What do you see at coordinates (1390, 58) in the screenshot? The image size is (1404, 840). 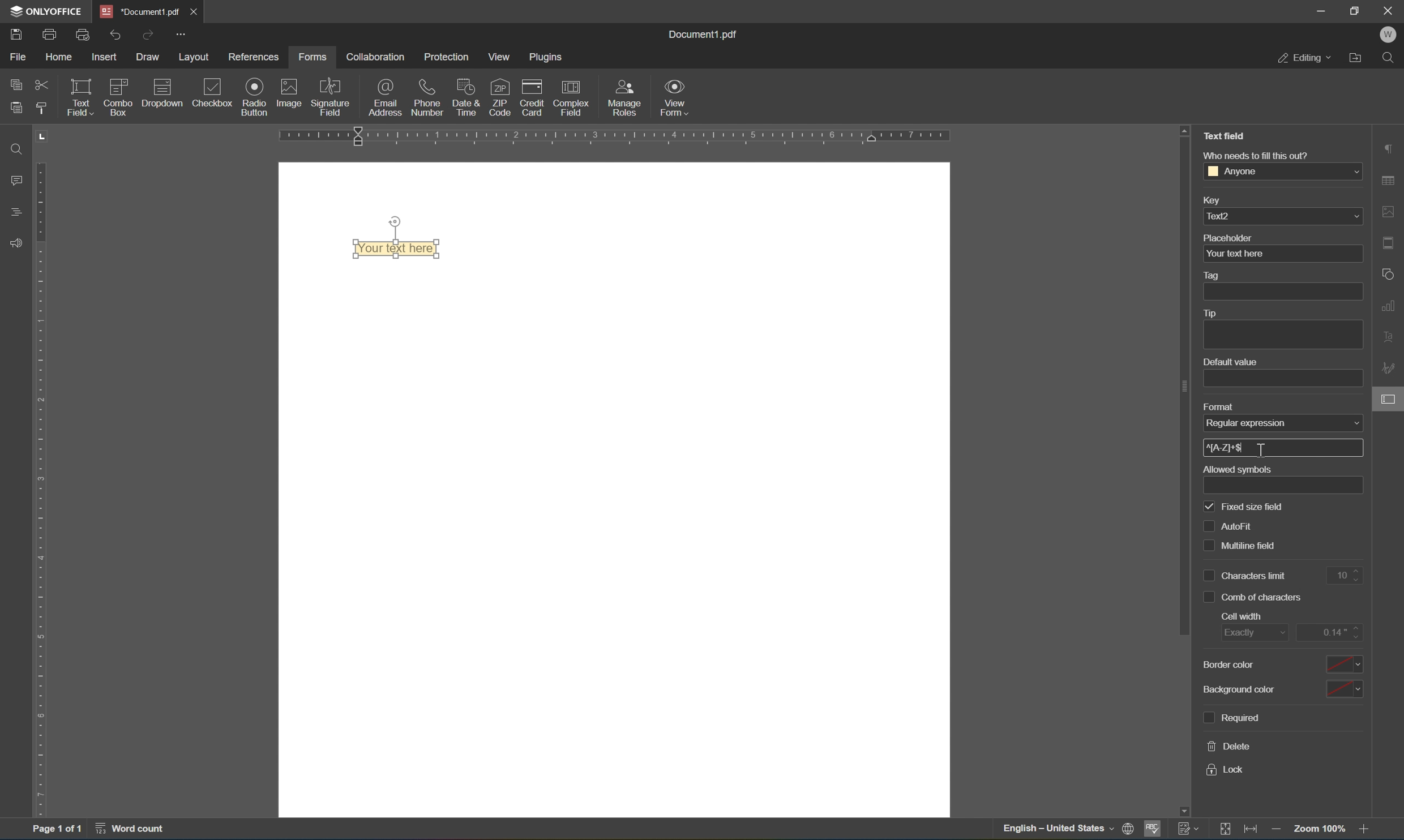 I see `find` at bounding box center [1390, 58].